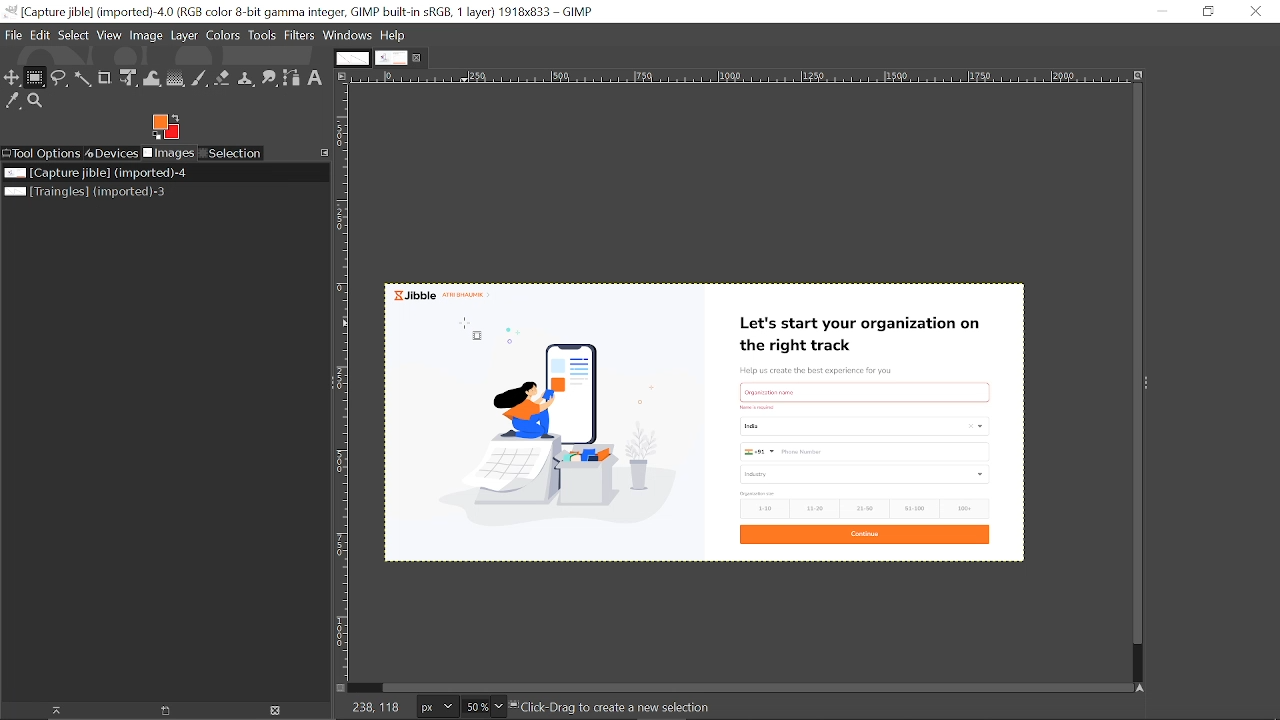 The image size is (1280, 720). I want to click on Toggle quick mask On/Off, so click(341, 688).